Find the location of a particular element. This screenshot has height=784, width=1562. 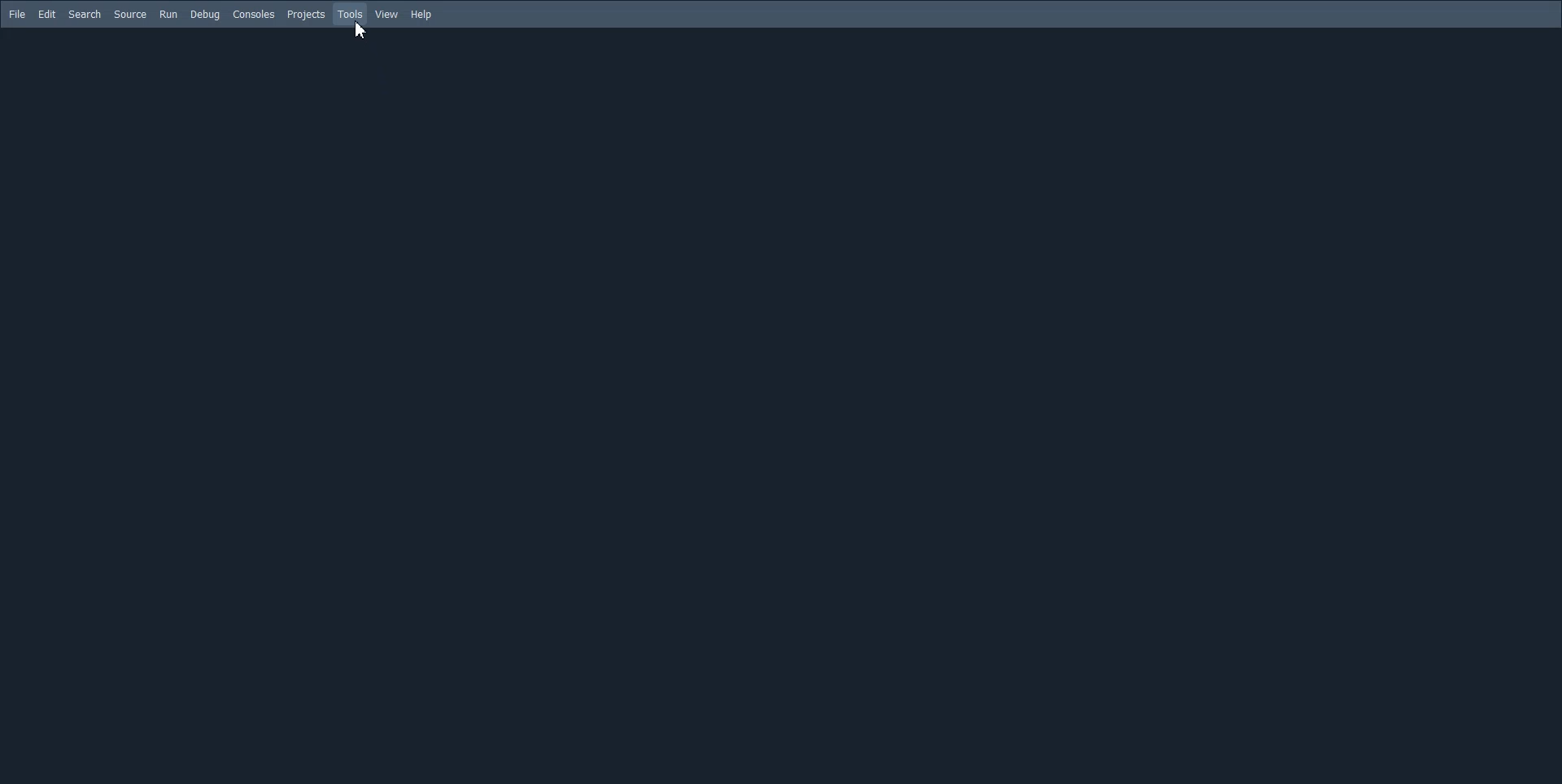

Consoles is located at coordinates (254, 15).